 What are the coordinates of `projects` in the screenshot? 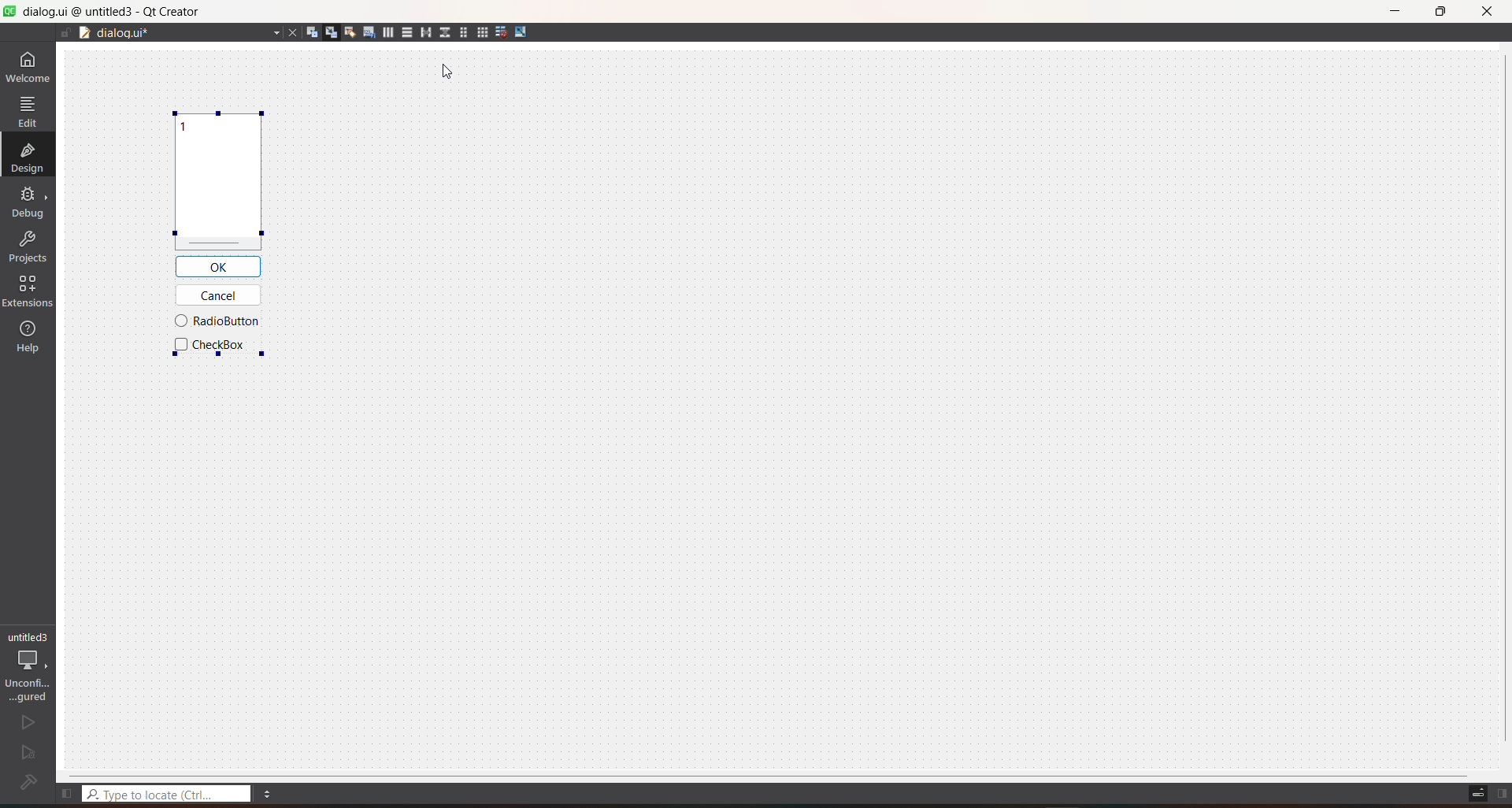 It's located at (31, 244).